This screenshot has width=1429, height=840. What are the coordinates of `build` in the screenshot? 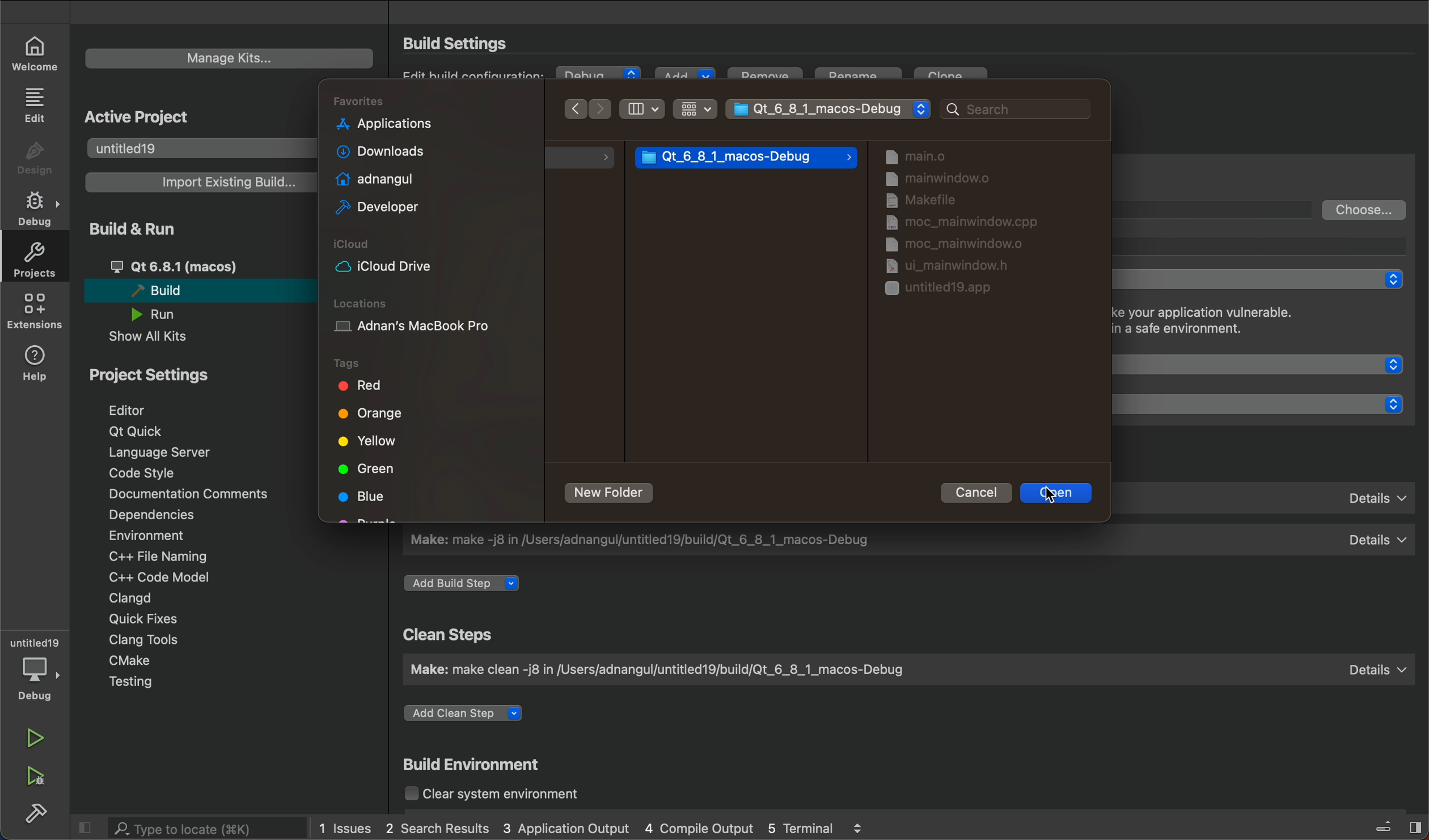 It's located at (194, 290).